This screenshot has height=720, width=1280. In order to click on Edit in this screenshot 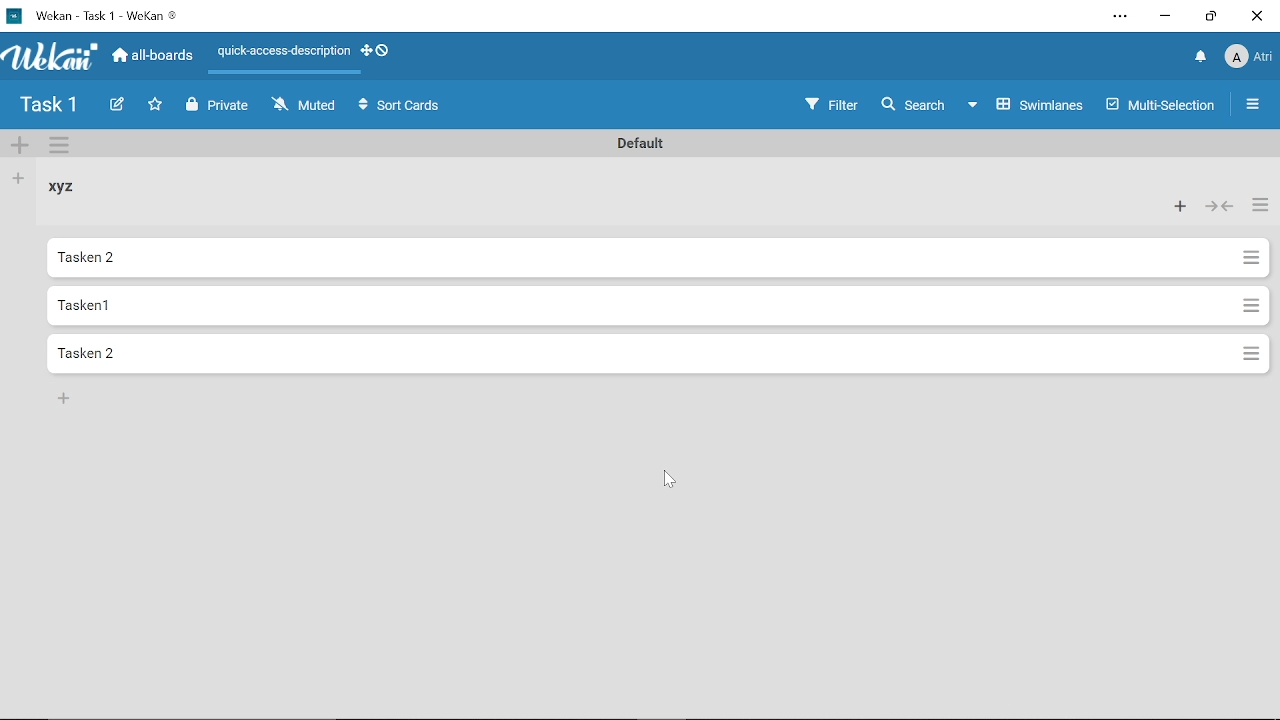, I will do `click(118, 105)`.